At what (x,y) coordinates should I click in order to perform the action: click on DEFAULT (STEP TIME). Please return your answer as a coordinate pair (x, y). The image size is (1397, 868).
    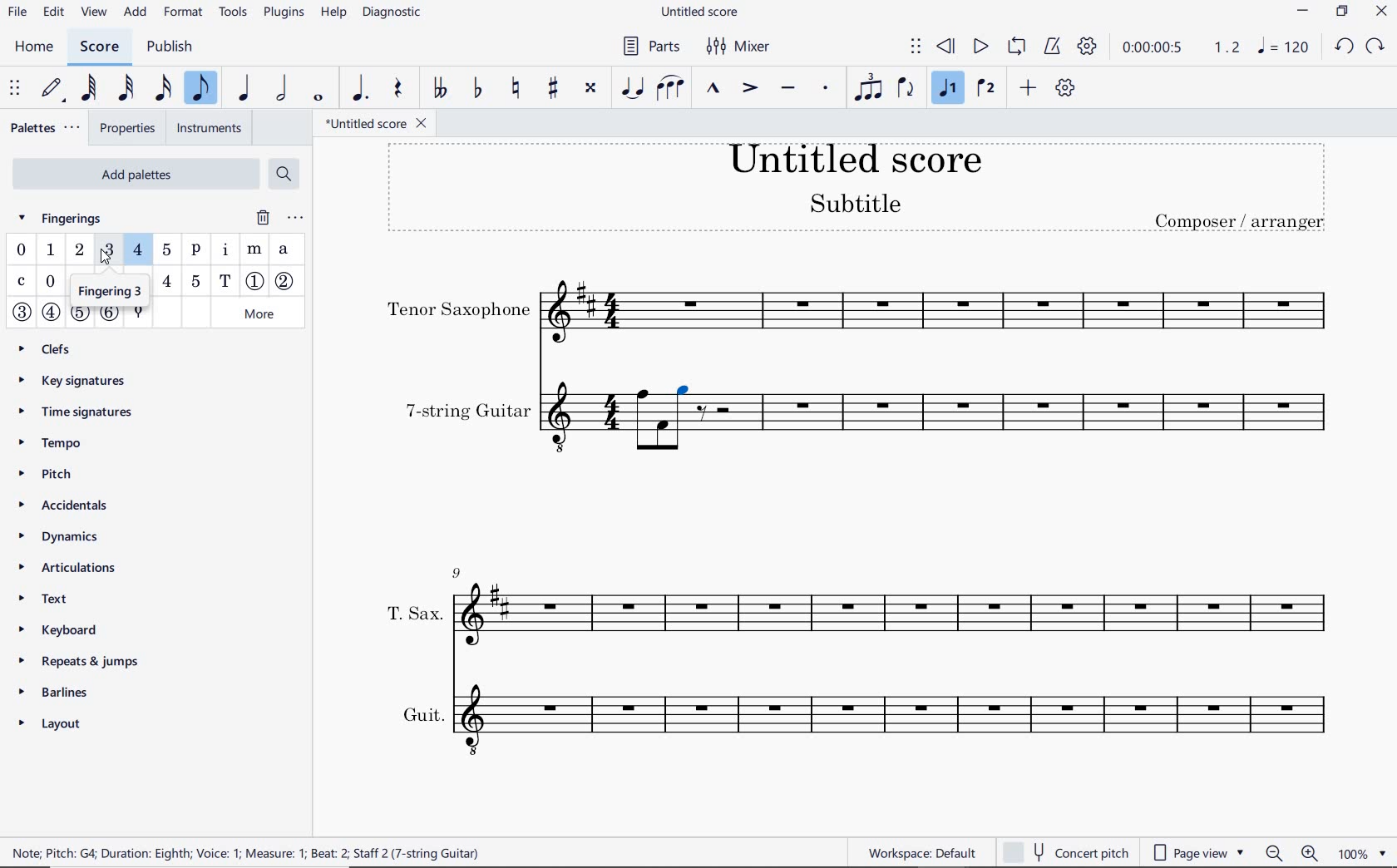
    Looking at the image, I should click on (51, 89).